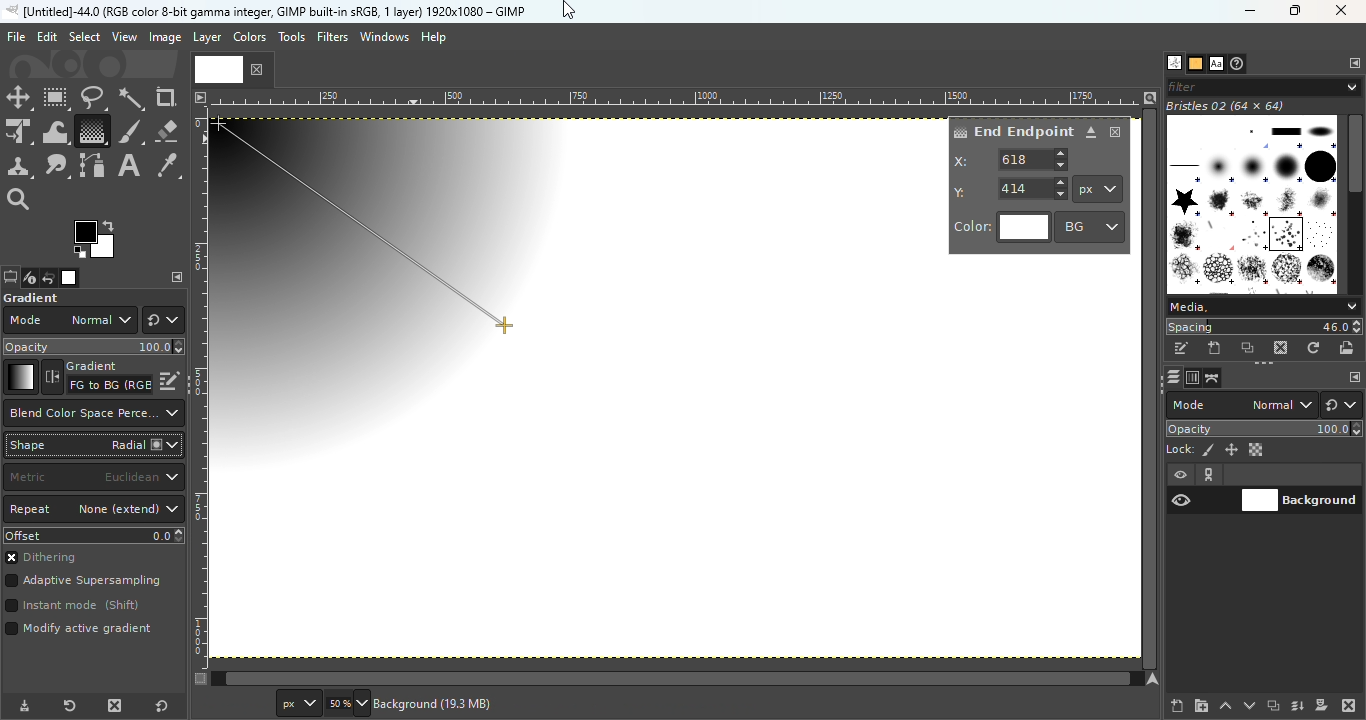  Describe the element at coordinates (1178, 706) in the screenshot. I see `Create a new layer and add it to the image` at that location.